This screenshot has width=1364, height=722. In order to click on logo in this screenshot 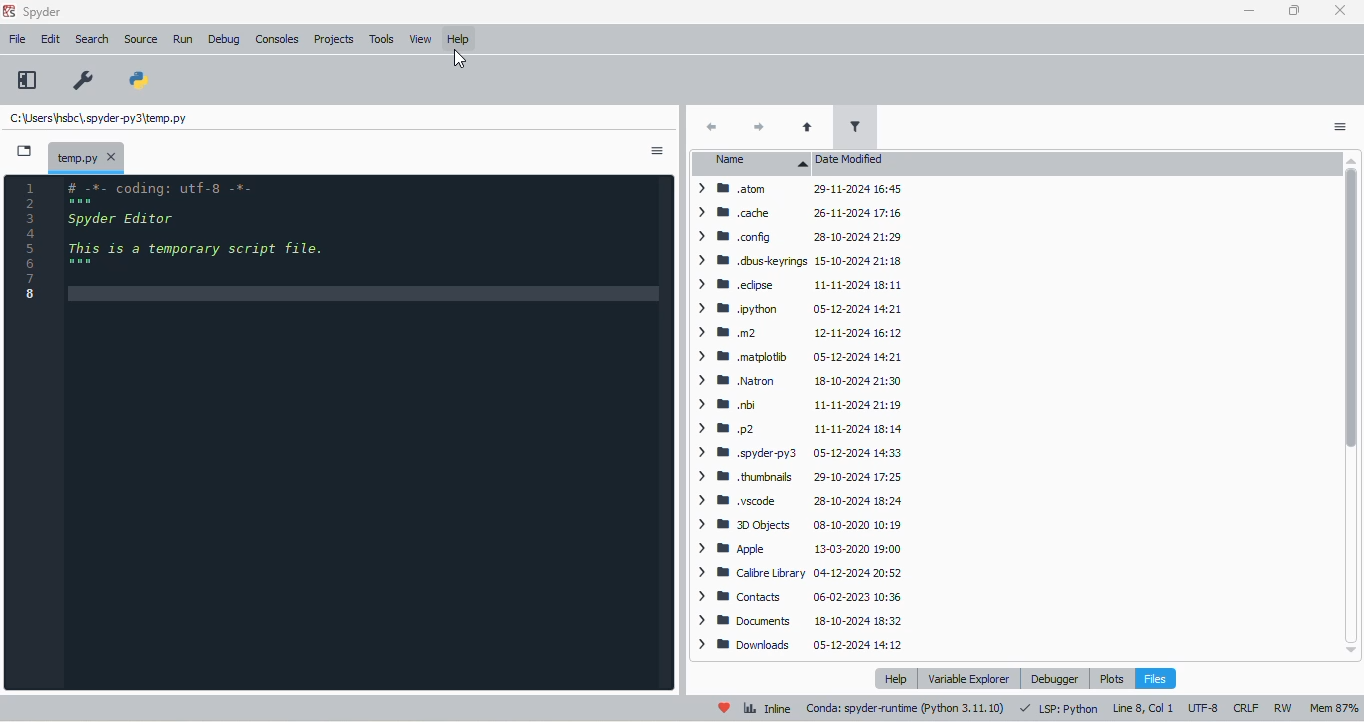, I will do `click(8, 11)`.